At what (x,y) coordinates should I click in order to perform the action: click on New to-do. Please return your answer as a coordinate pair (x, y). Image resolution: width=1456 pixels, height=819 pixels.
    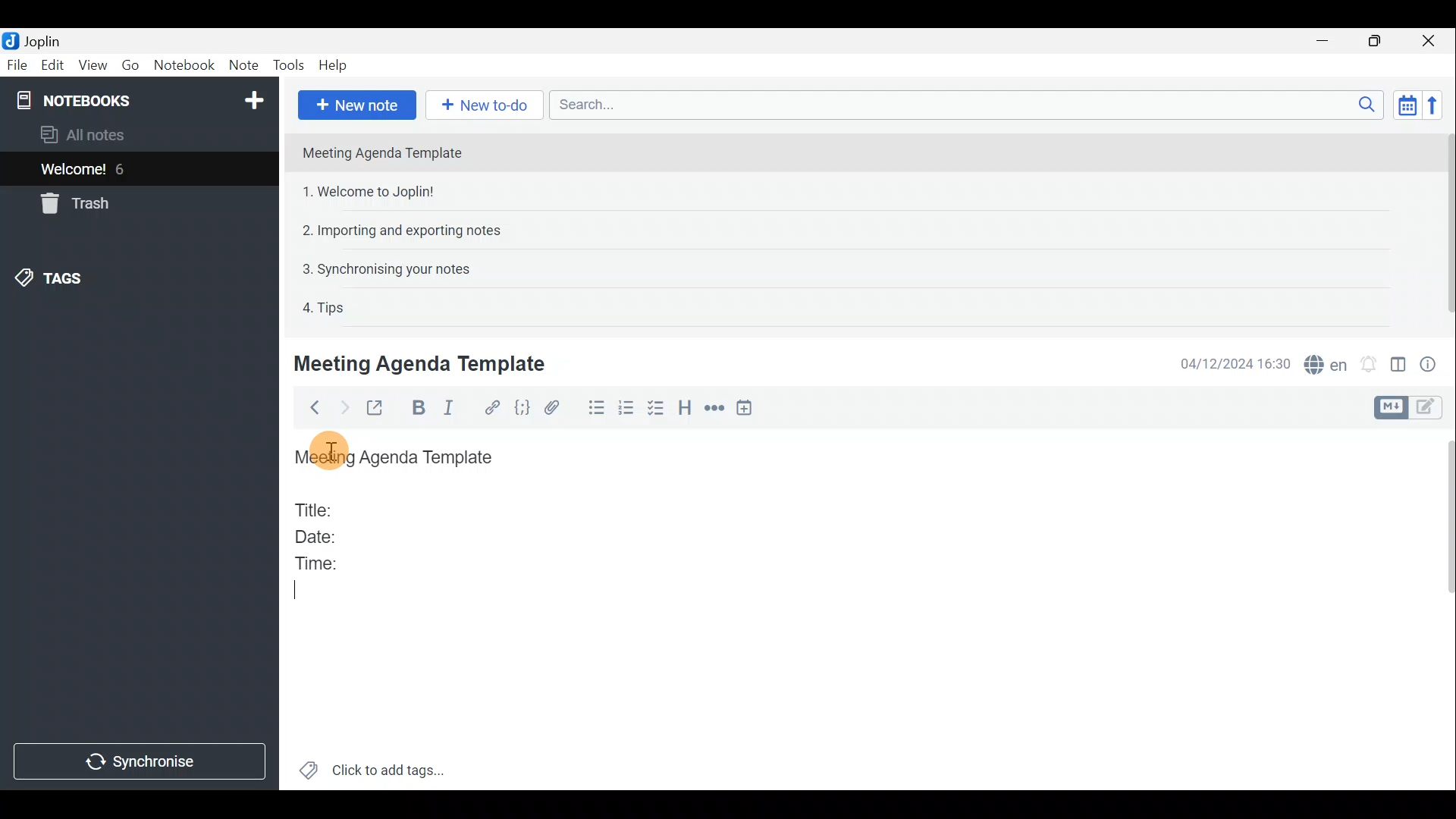
    Looking at the image, I should click on (481, 104).